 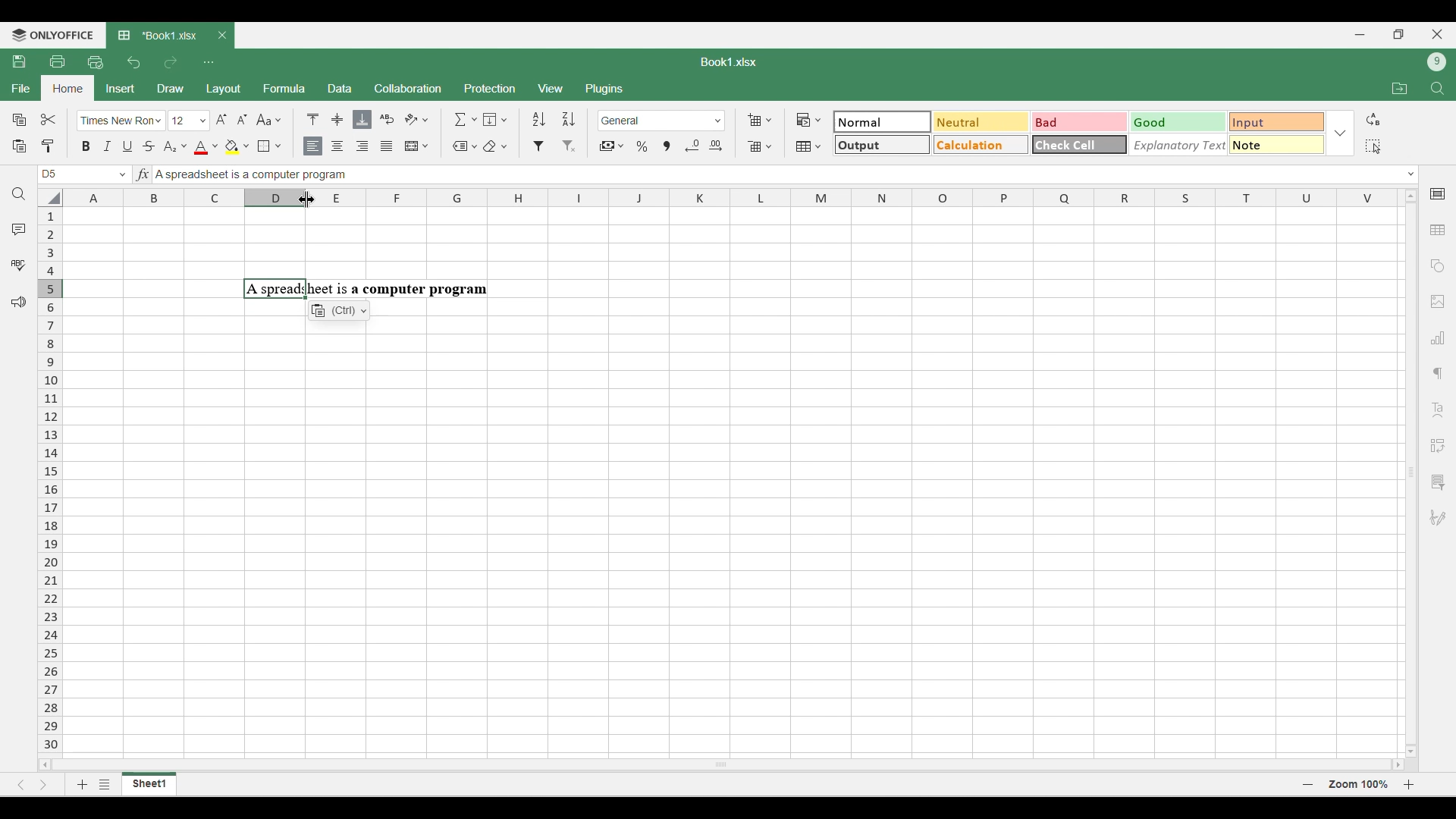 I want to click on Filter options, so click(x=554, y=146).